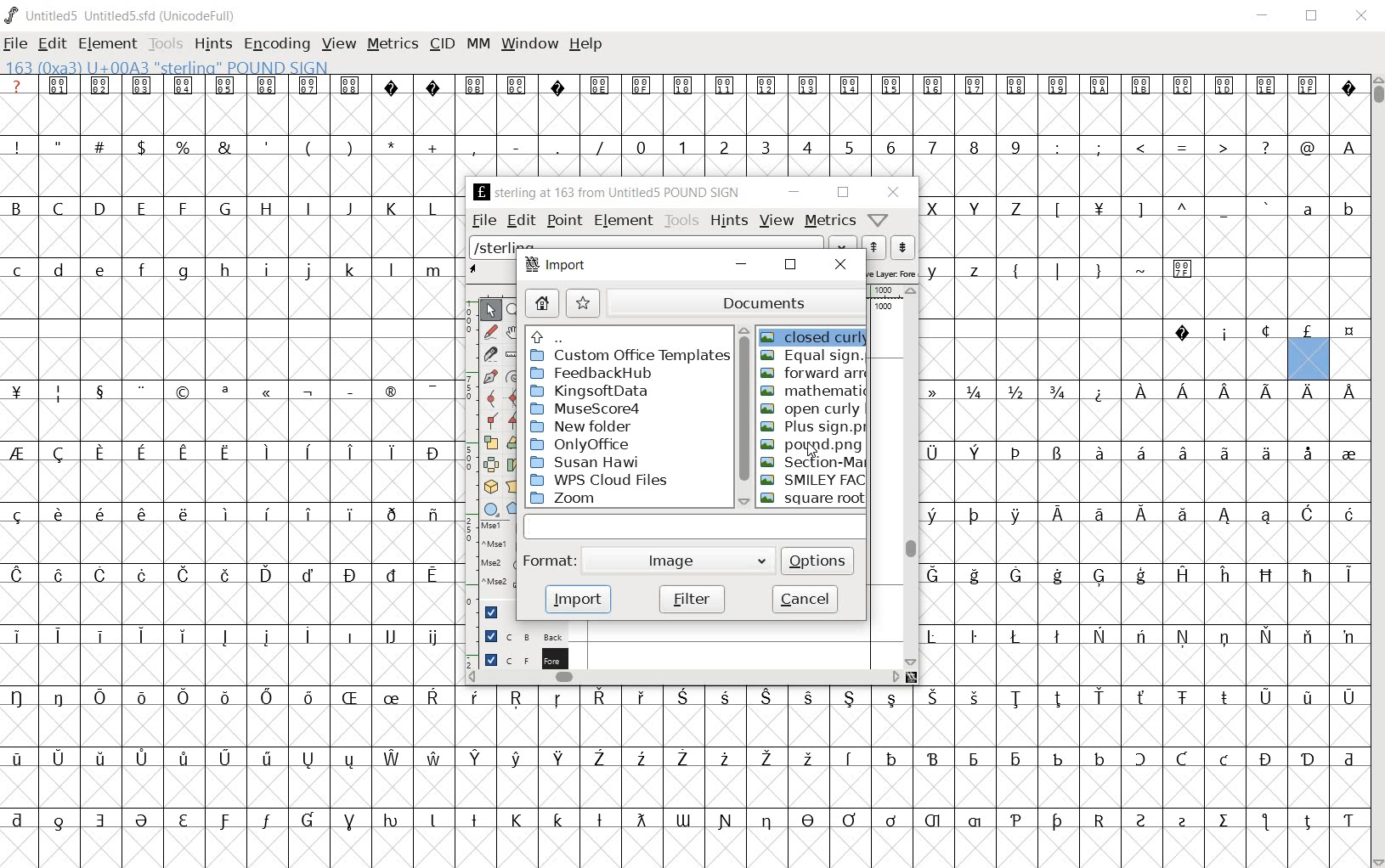 The image size is (1385, 868). What do you see at coordinates (1267, 392) in the screenshot?
I see `Symbol` at bounding box center [1267, 392].